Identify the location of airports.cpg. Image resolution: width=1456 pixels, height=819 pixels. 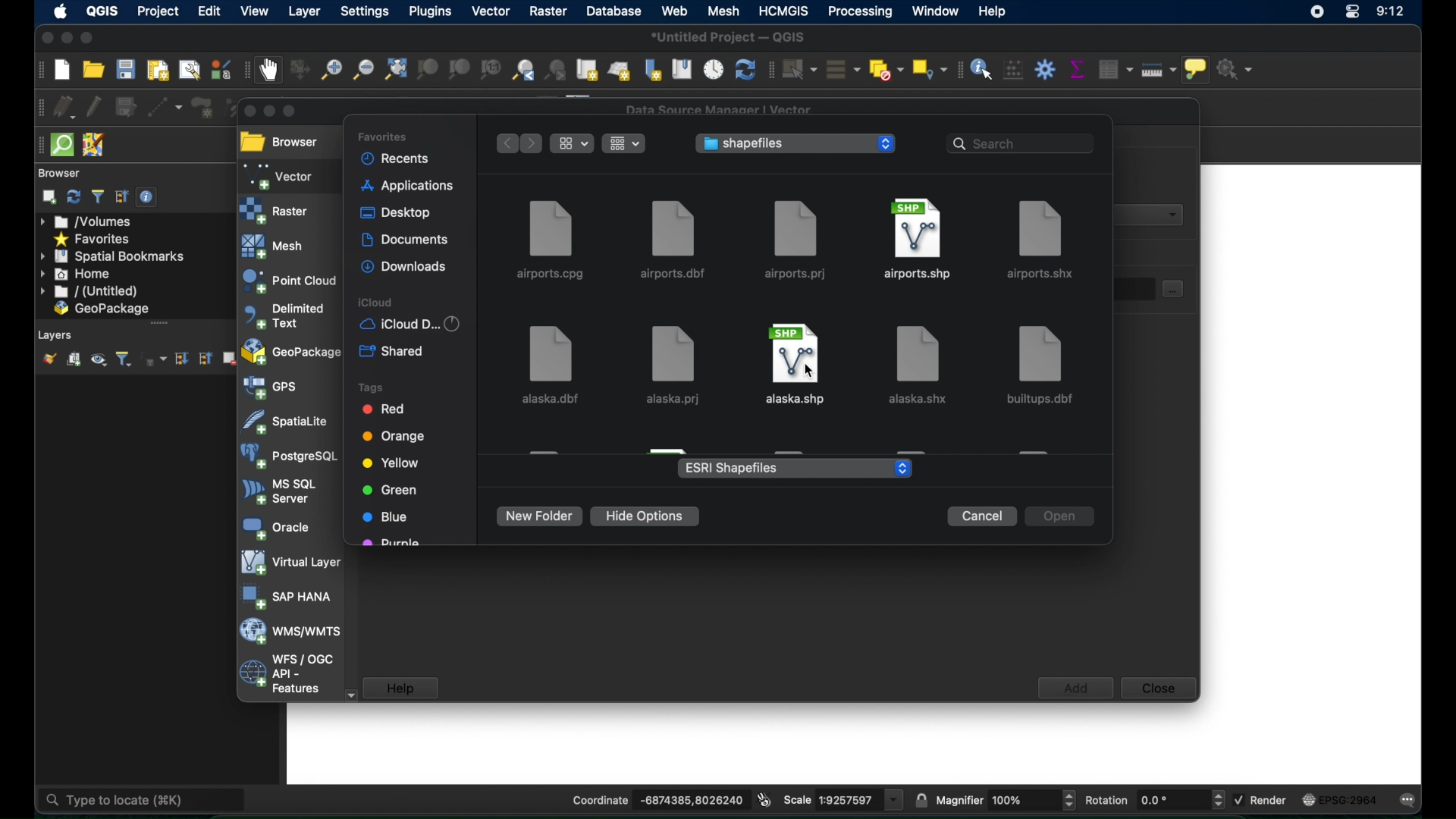
(551, 240).